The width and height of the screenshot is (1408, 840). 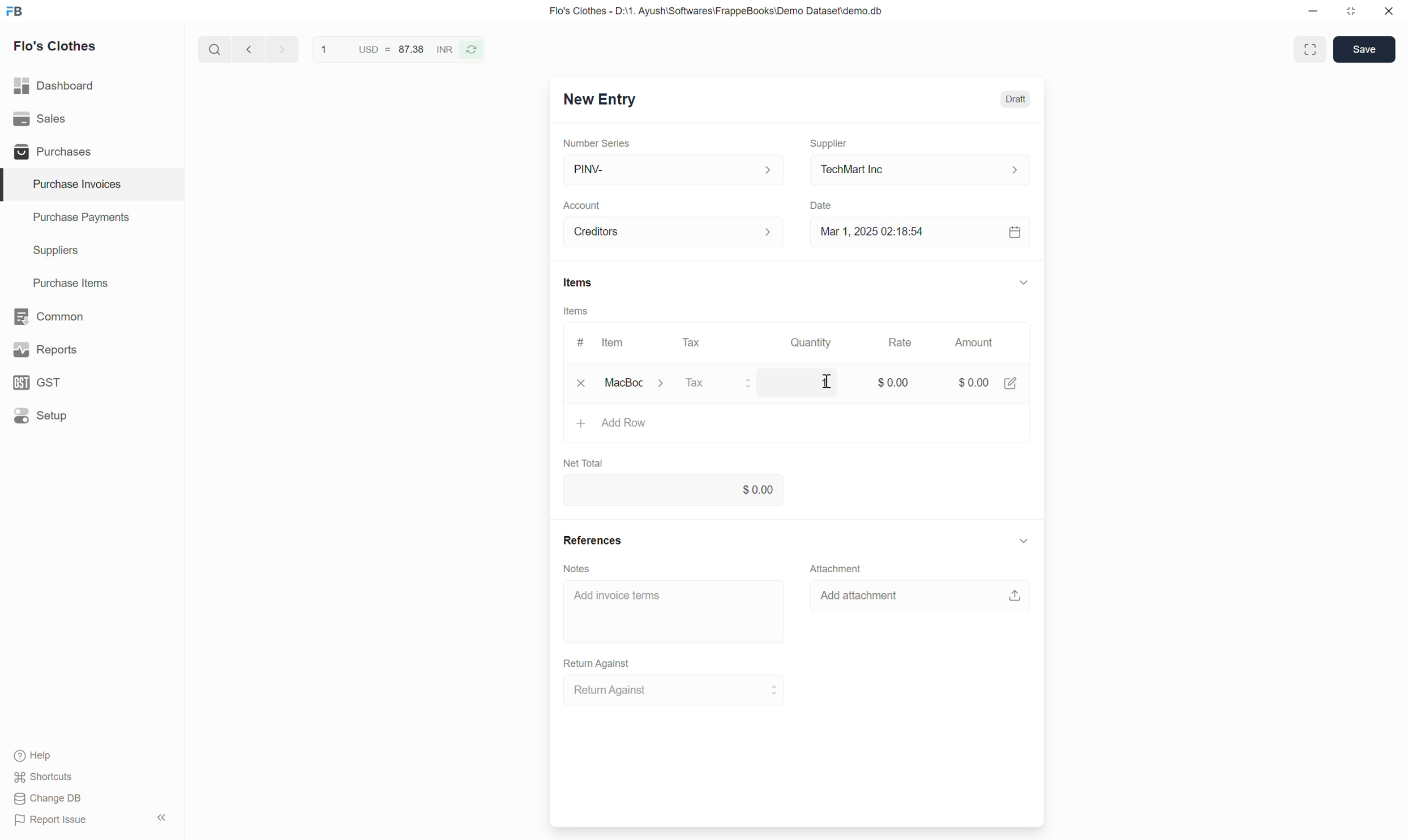 I want to click on Number Series, so click(x=597, y=143).